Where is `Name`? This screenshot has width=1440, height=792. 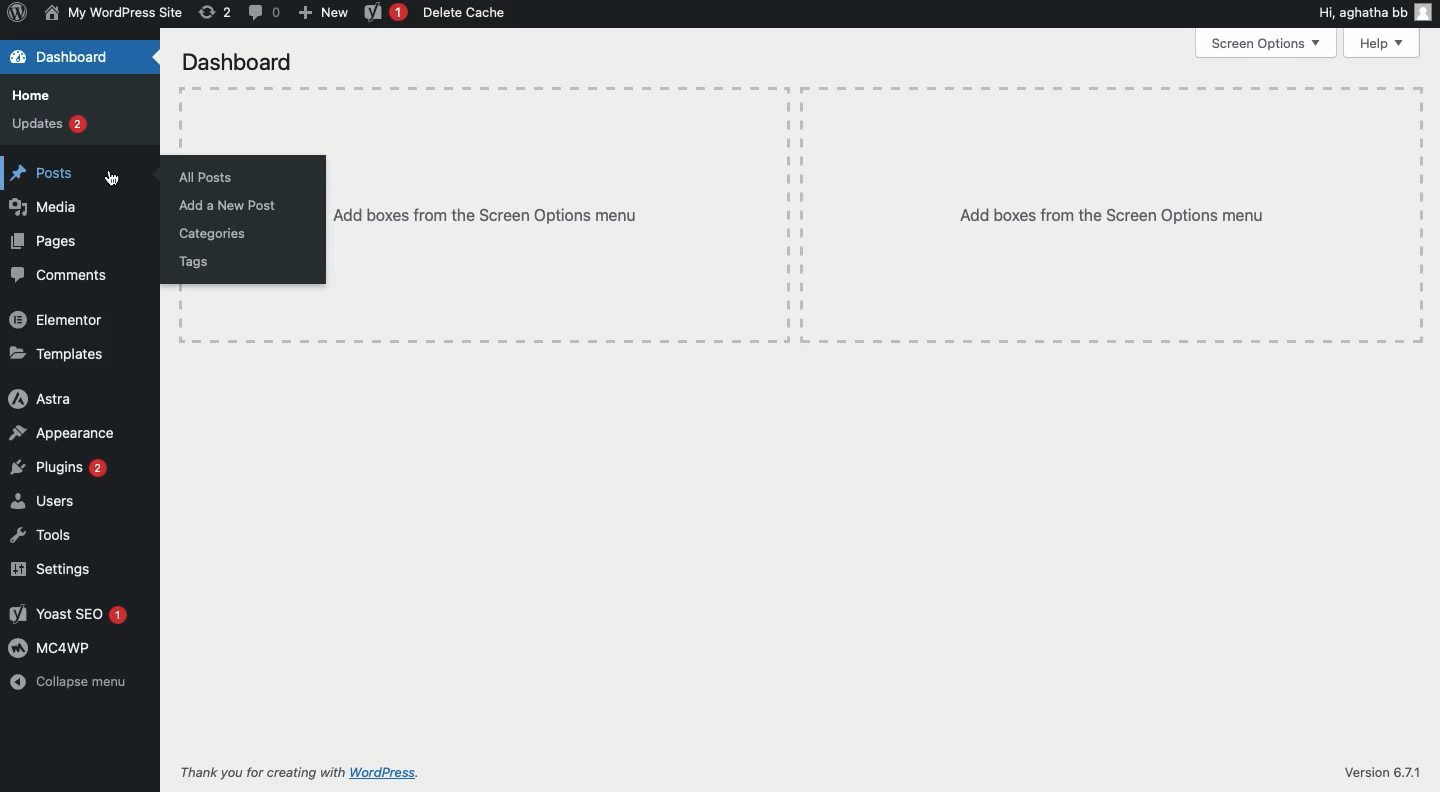
Name is located at coordinates (116, 14).